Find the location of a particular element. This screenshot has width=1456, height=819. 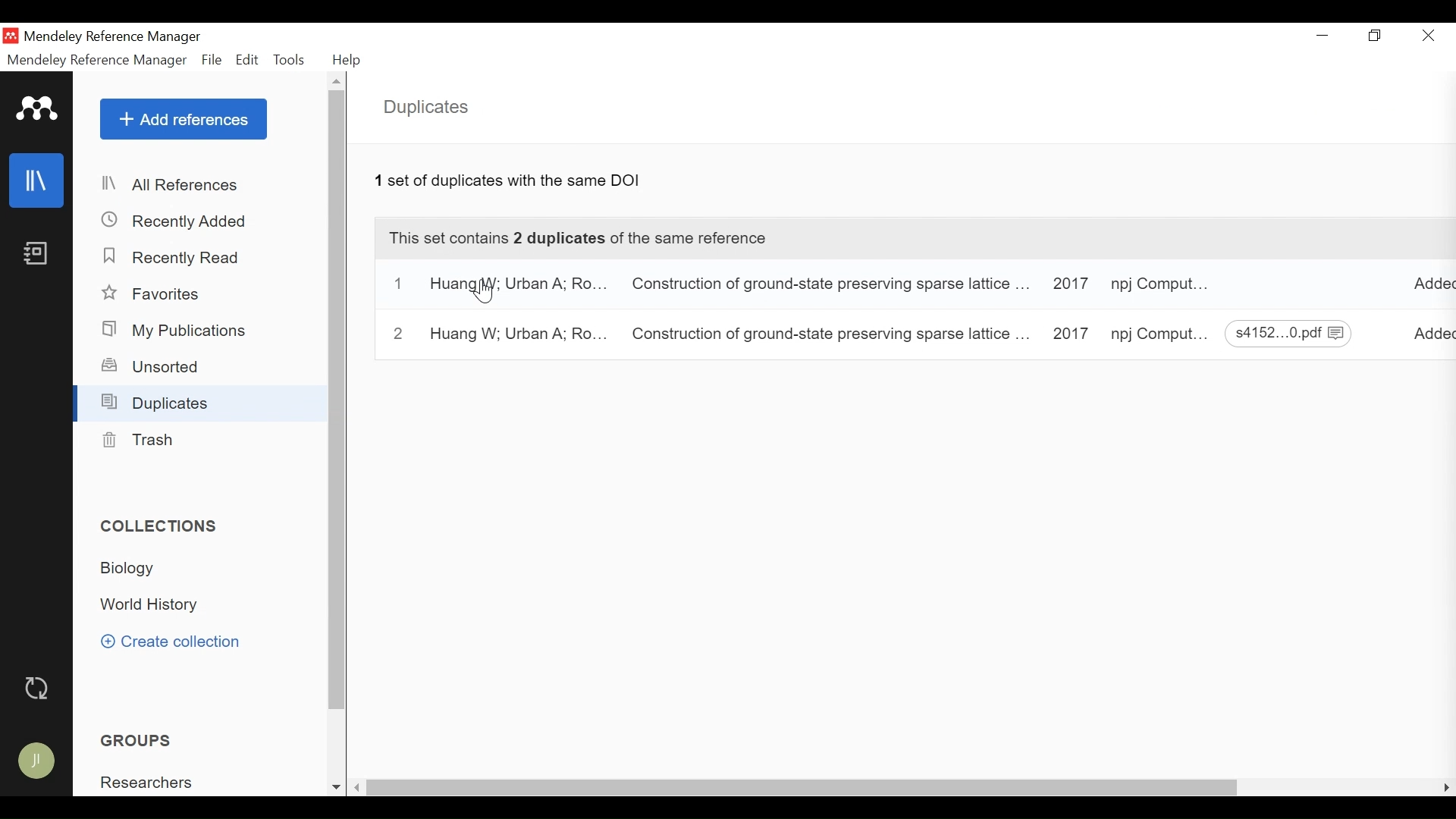

Library is located at coordinates (37, 180).